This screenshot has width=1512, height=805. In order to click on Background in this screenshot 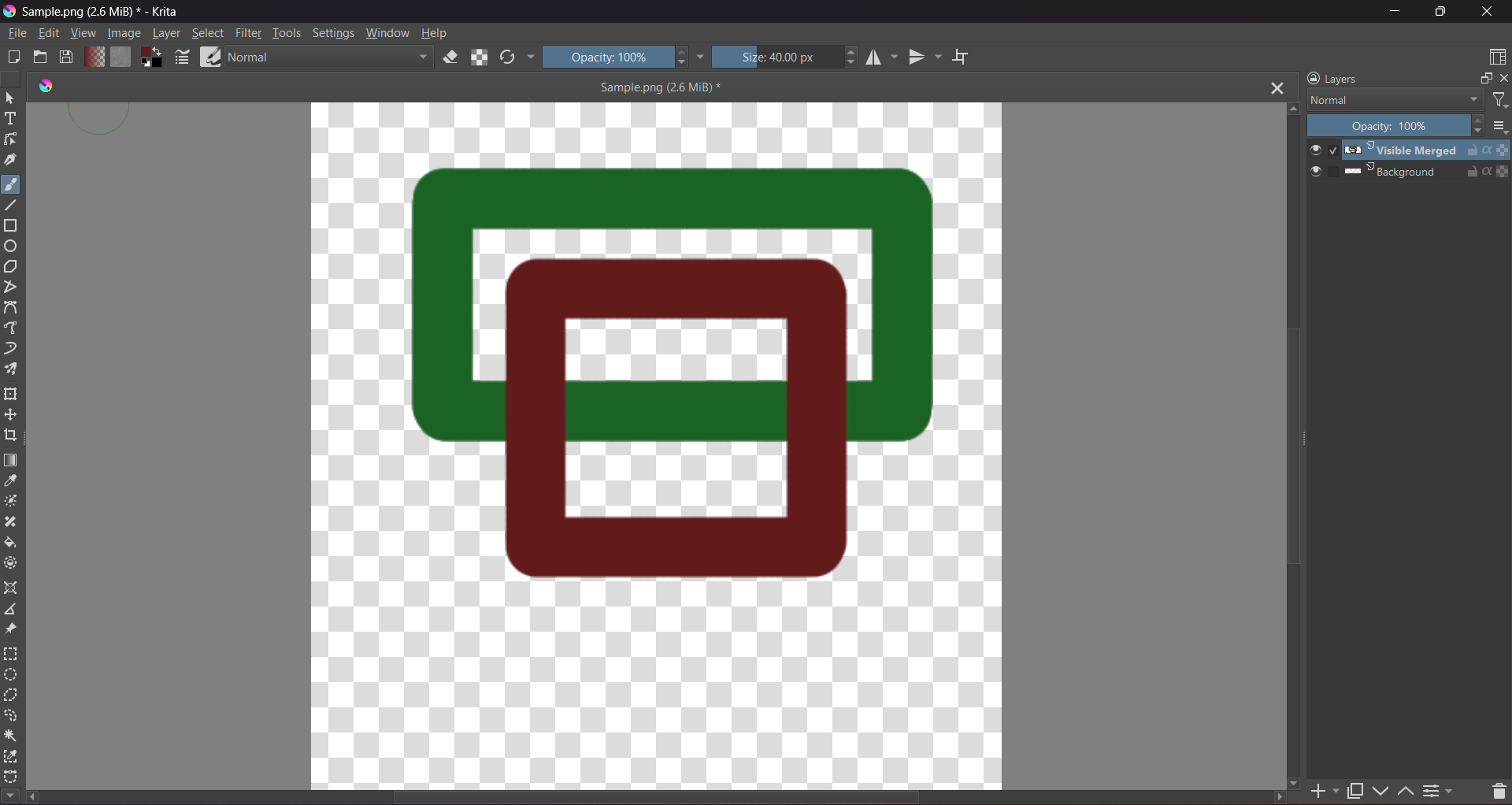, I will do `click(1408, 171)`.